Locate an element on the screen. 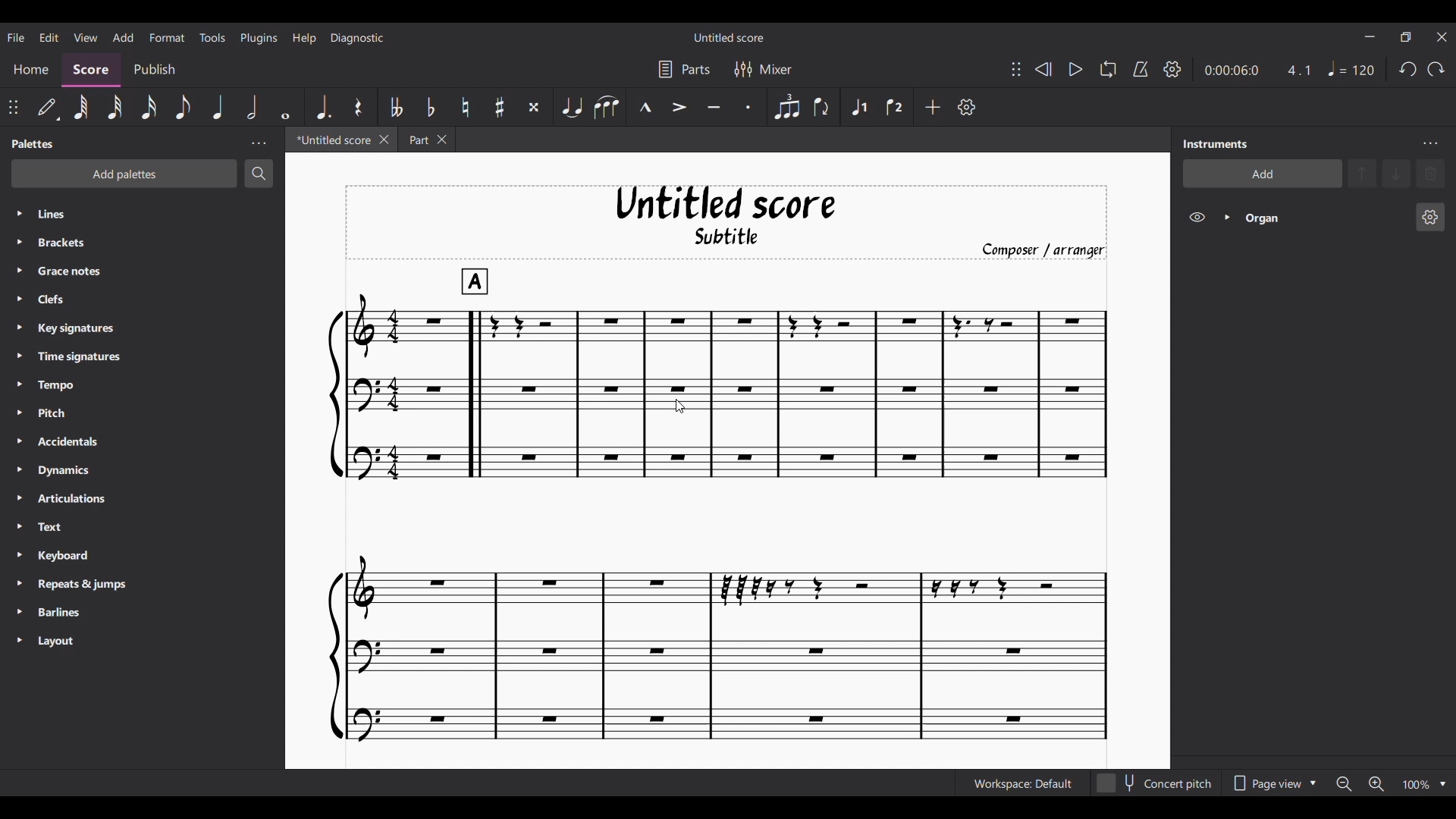  Expand each respective palette is located at coordinates (18, 426).